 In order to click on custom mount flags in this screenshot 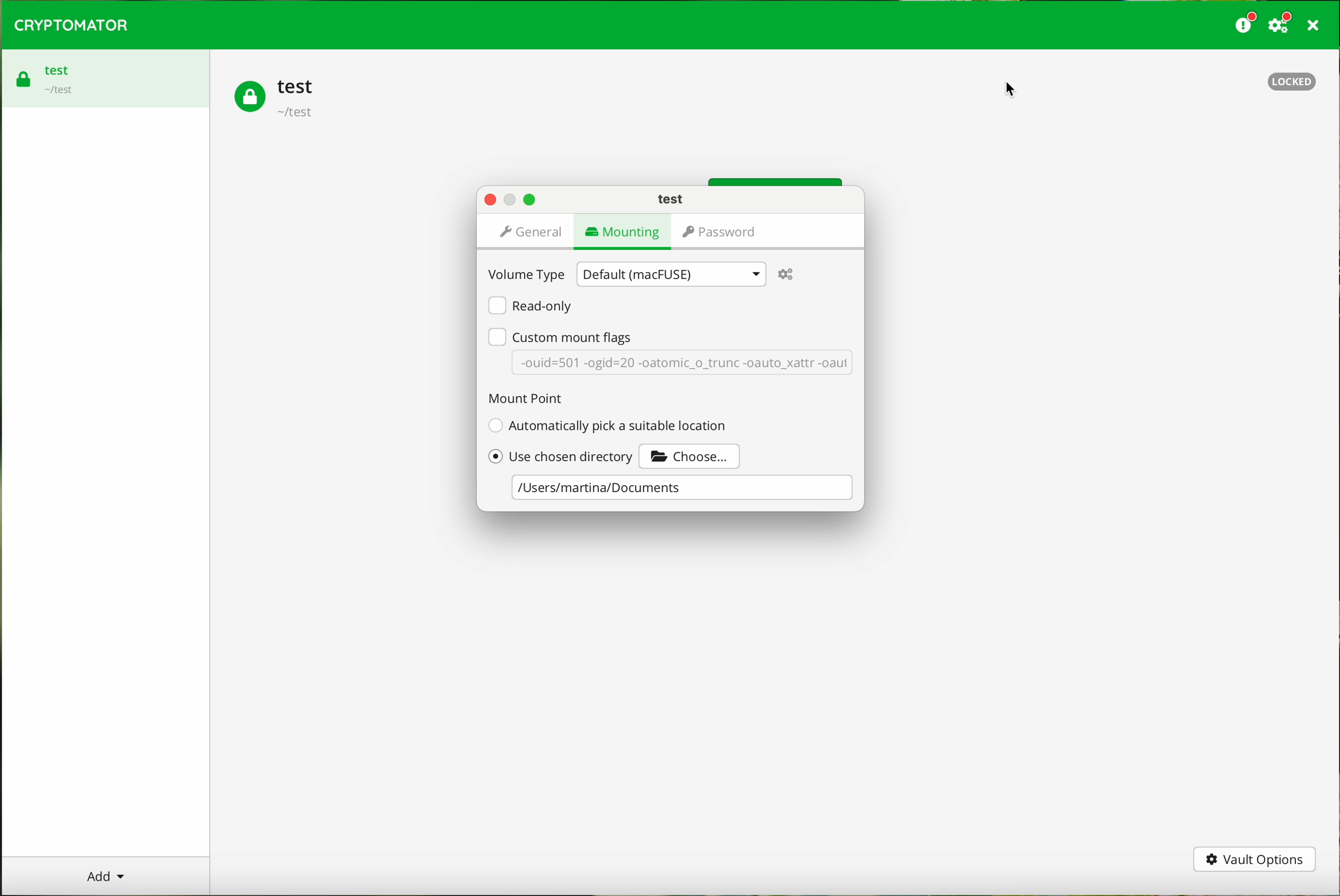, I will do `click(560, 336)`.